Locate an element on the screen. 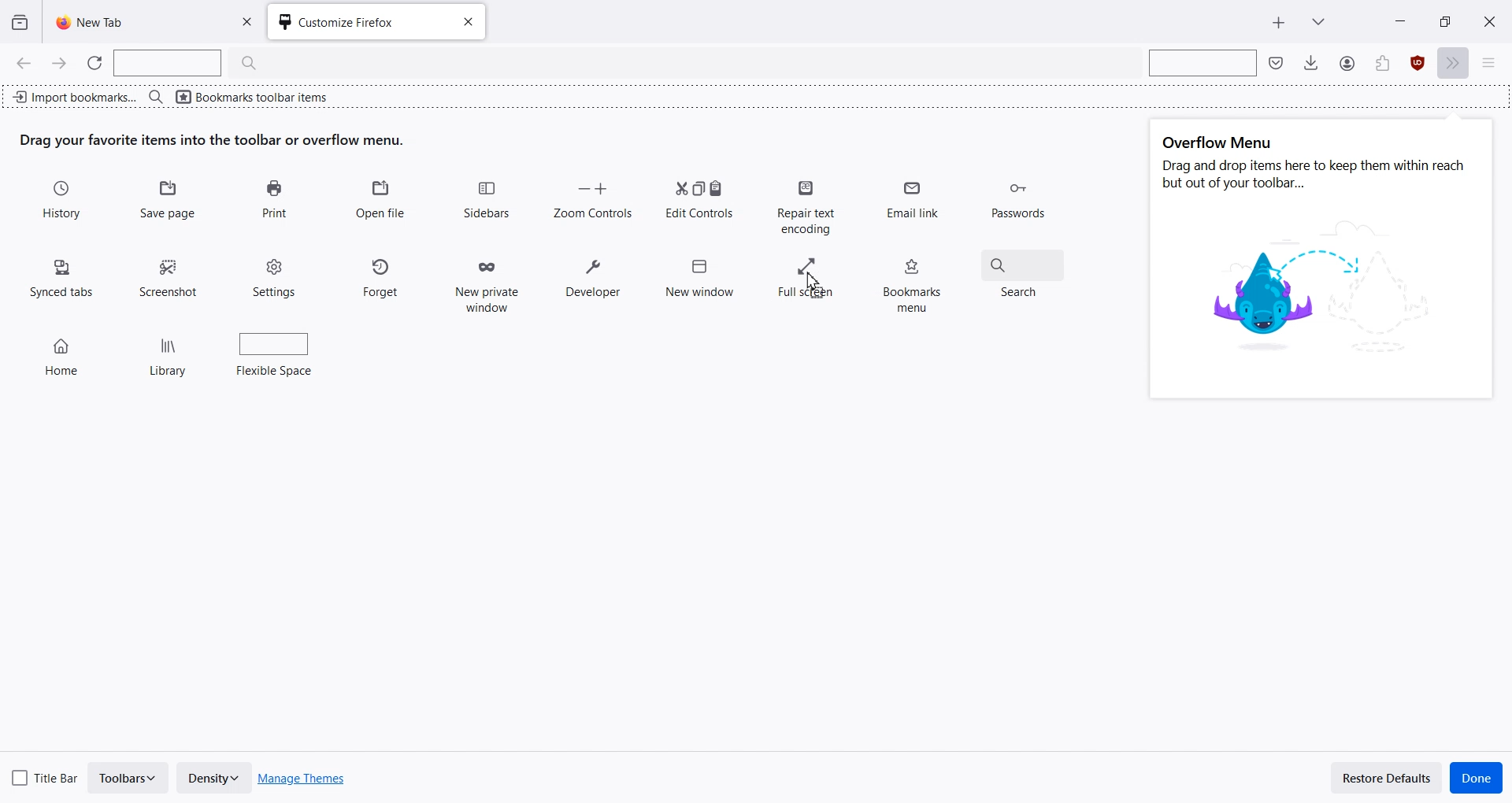  full screen is located at coordinates (807, 279).